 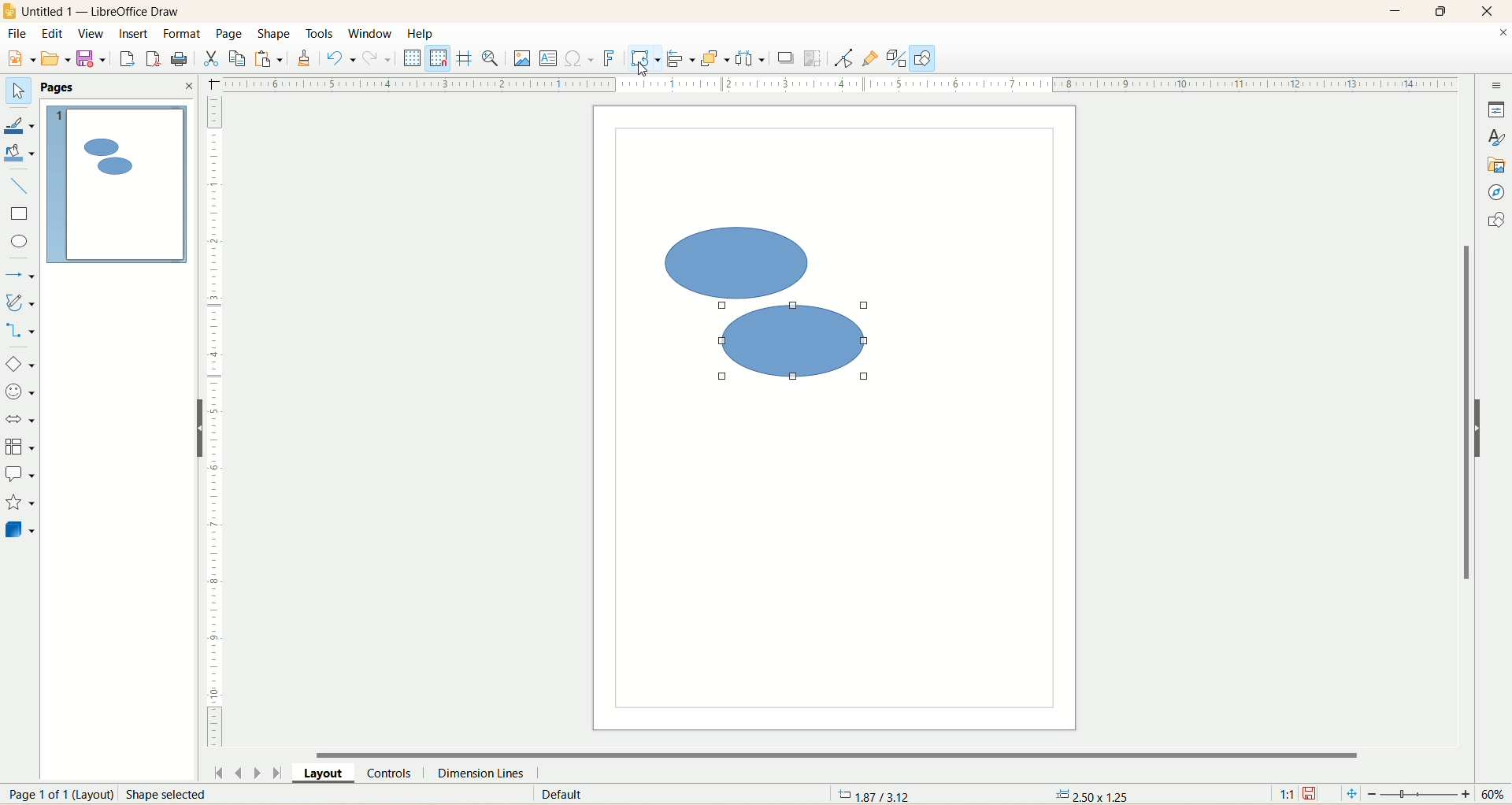 What do you see at coordinates (1496, 795) in the screenshot?
I see `zoom percentage` at bounding box center [1496, 795].